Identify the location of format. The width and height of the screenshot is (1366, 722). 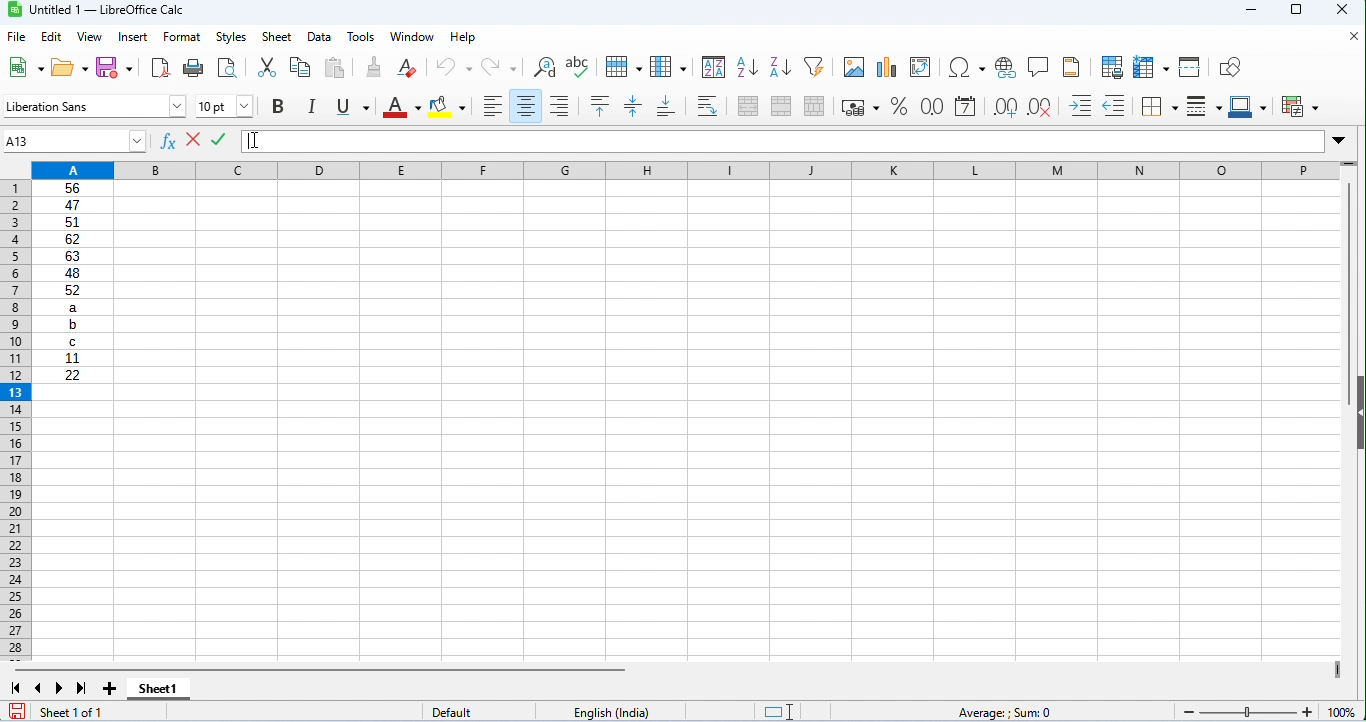
(182, 37).